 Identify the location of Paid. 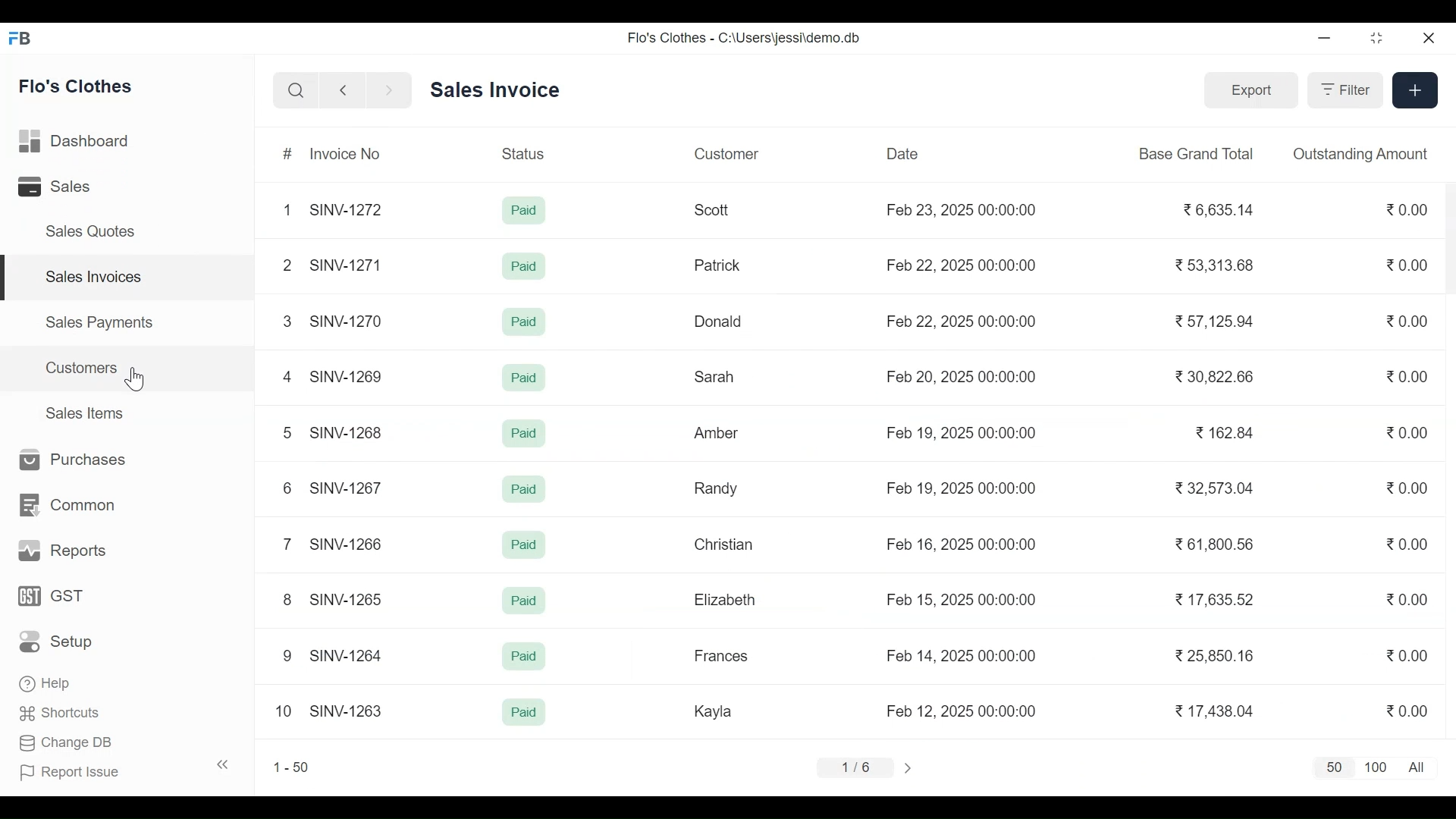
(524, 657).